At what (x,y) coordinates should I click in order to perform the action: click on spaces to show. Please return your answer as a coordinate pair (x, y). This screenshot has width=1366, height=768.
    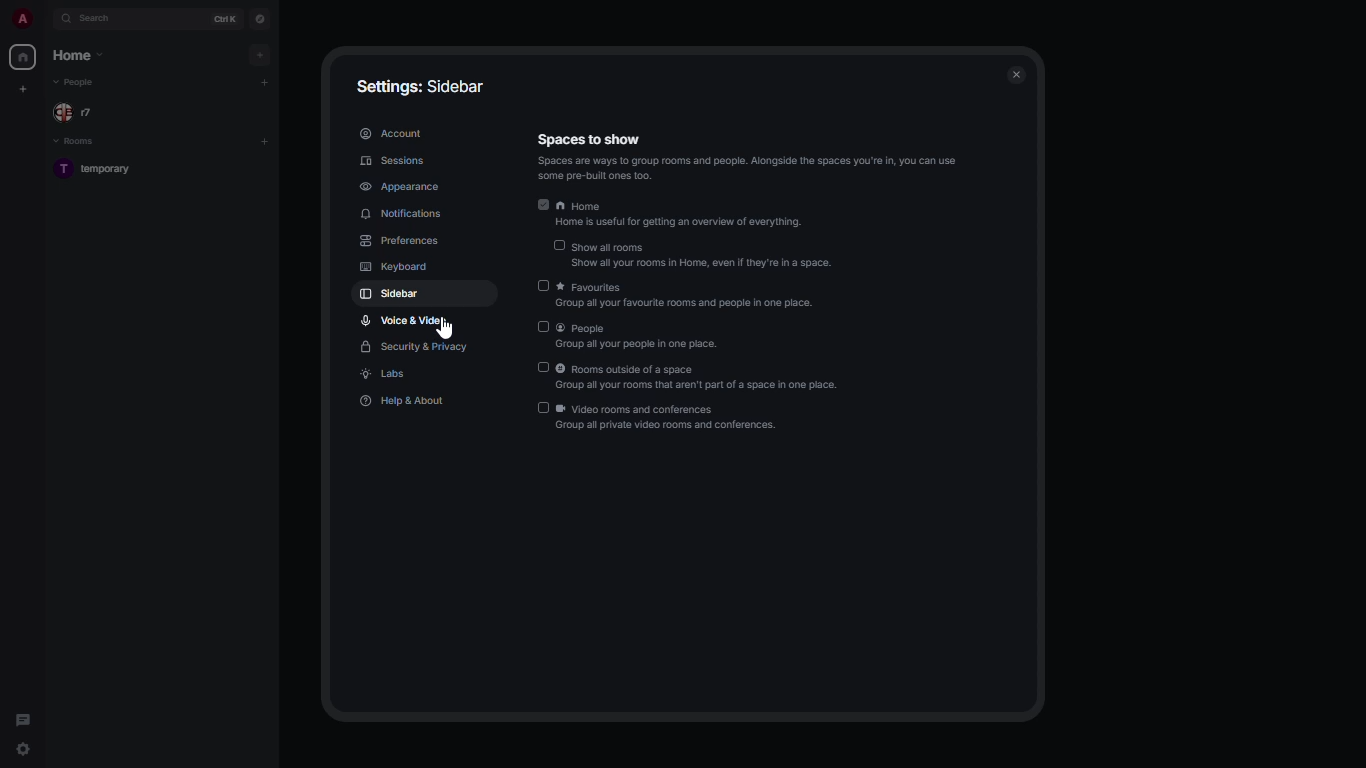
    Looking at the image, I should click on (645, 139).